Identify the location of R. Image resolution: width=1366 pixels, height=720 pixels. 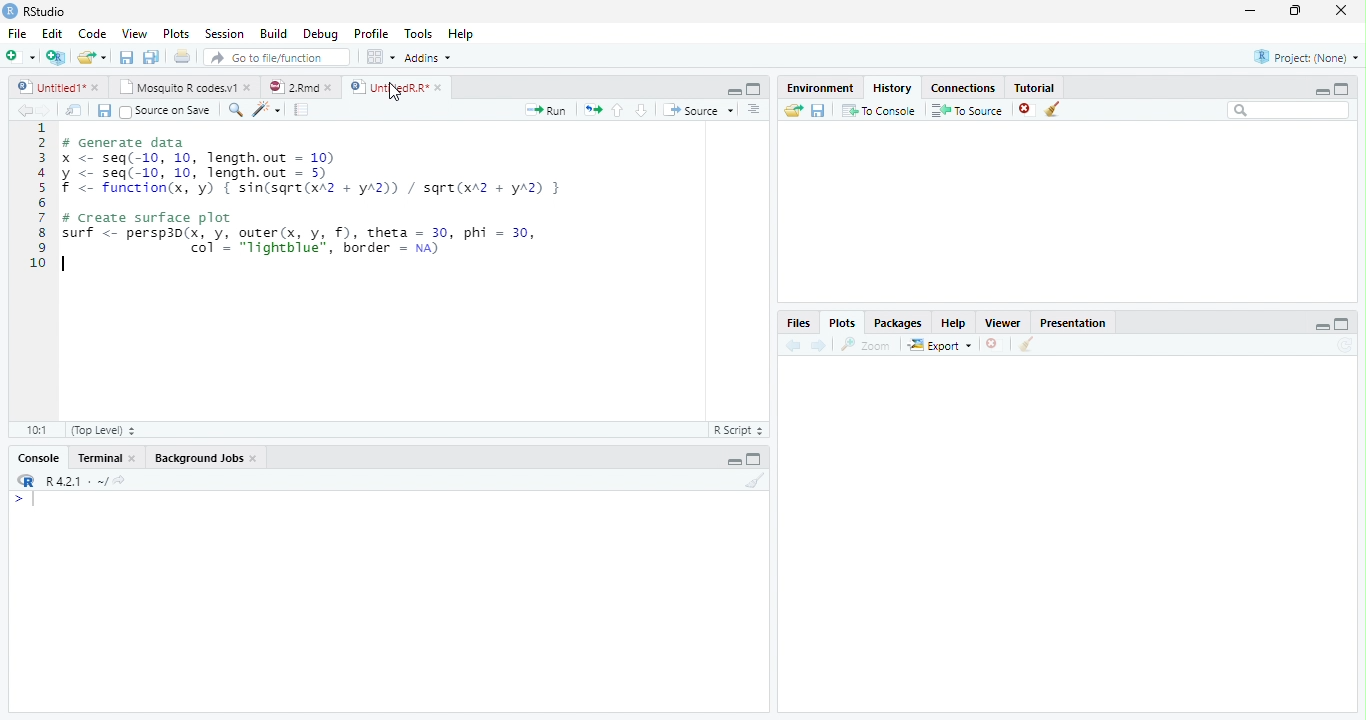
(24, 480).